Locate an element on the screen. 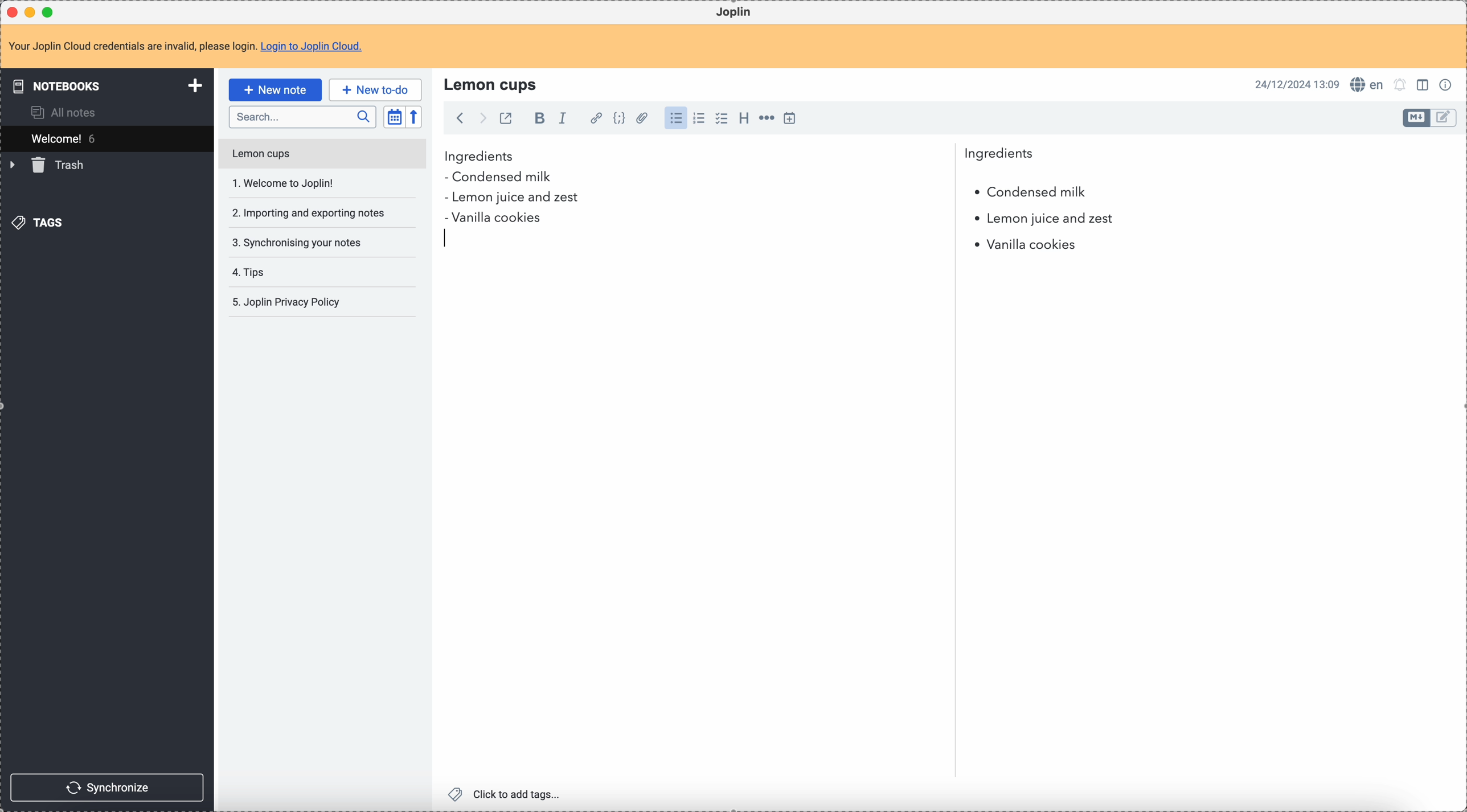  italic is located at coordinates (562, 117).